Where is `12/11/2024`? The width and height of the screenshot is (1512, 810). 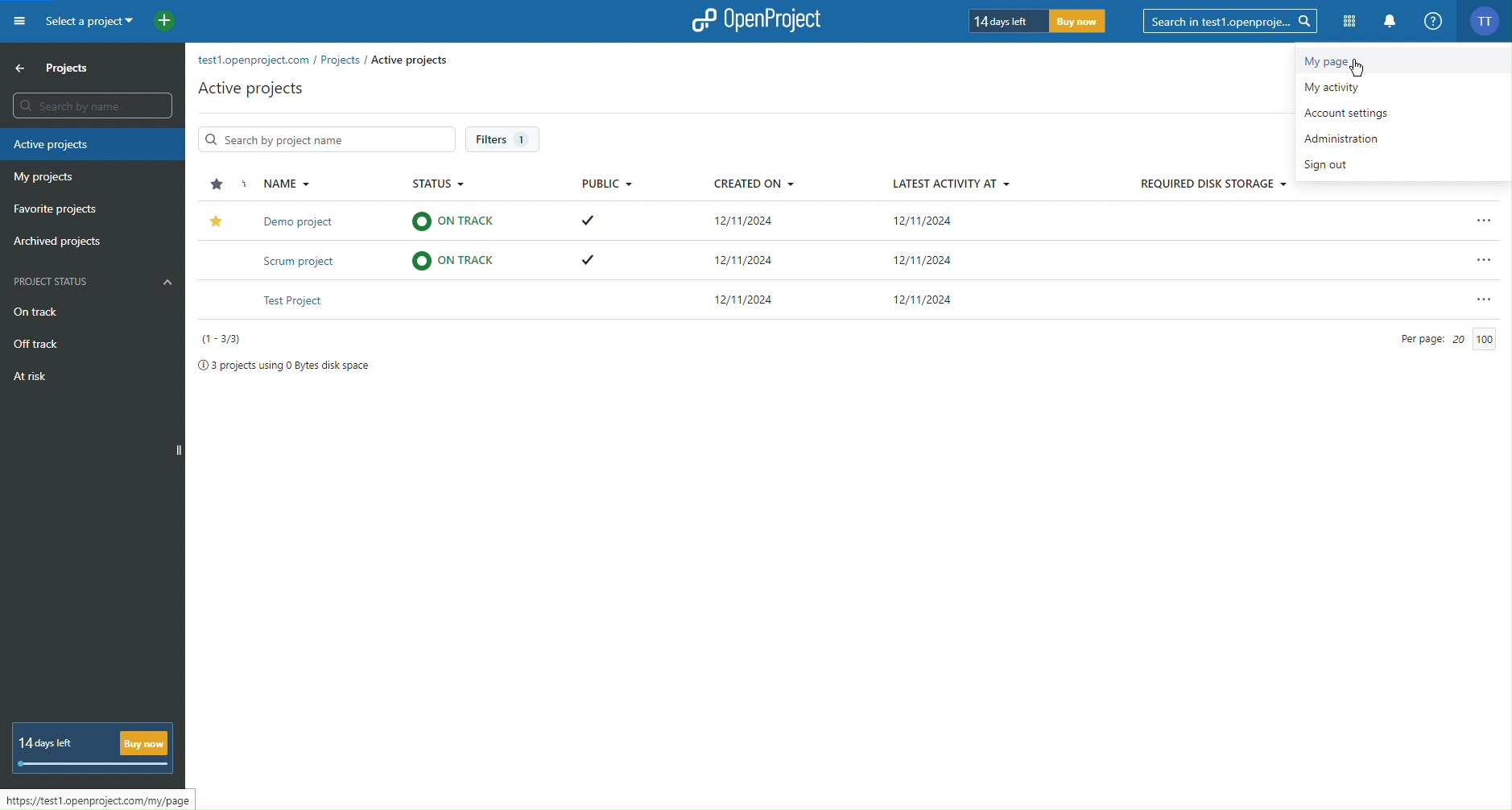
12/11/2024 is located at coordinates (746, 221).